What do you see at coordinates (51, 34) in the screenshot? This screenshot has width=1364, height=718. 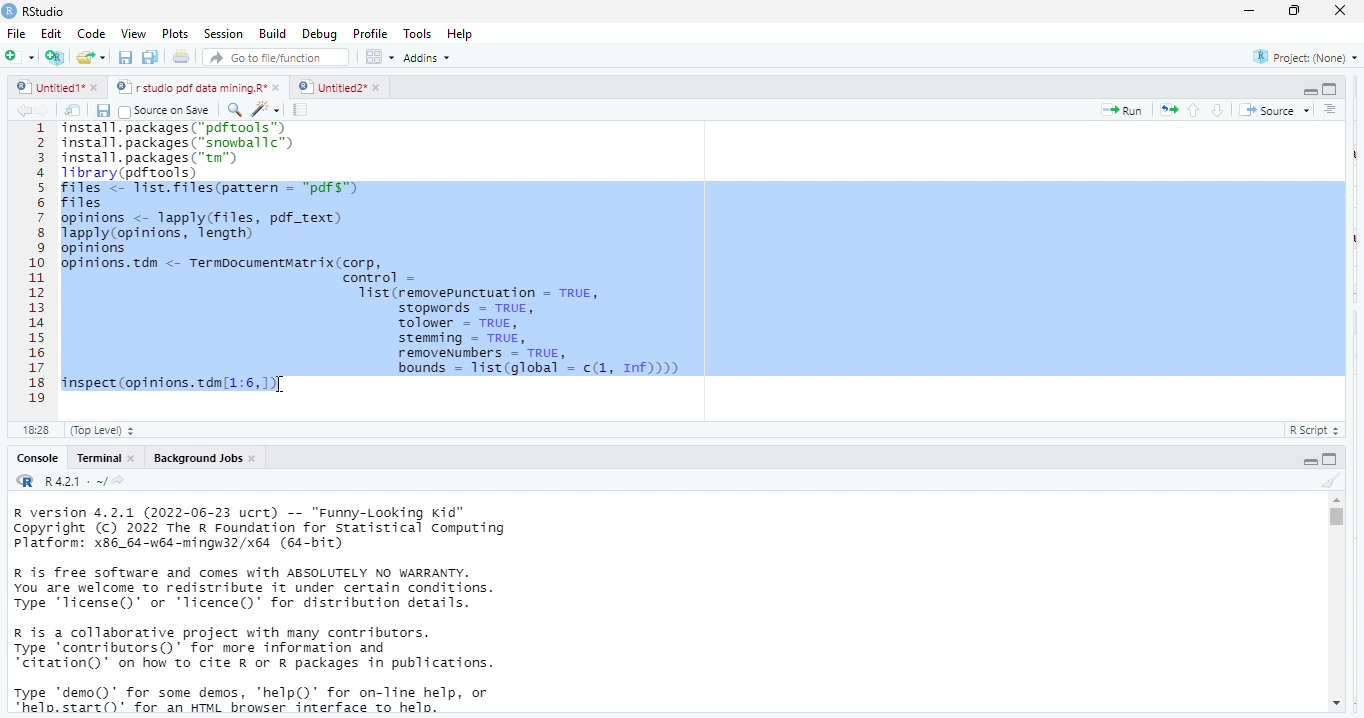 I see `edit` at bounding box center [51, 34].